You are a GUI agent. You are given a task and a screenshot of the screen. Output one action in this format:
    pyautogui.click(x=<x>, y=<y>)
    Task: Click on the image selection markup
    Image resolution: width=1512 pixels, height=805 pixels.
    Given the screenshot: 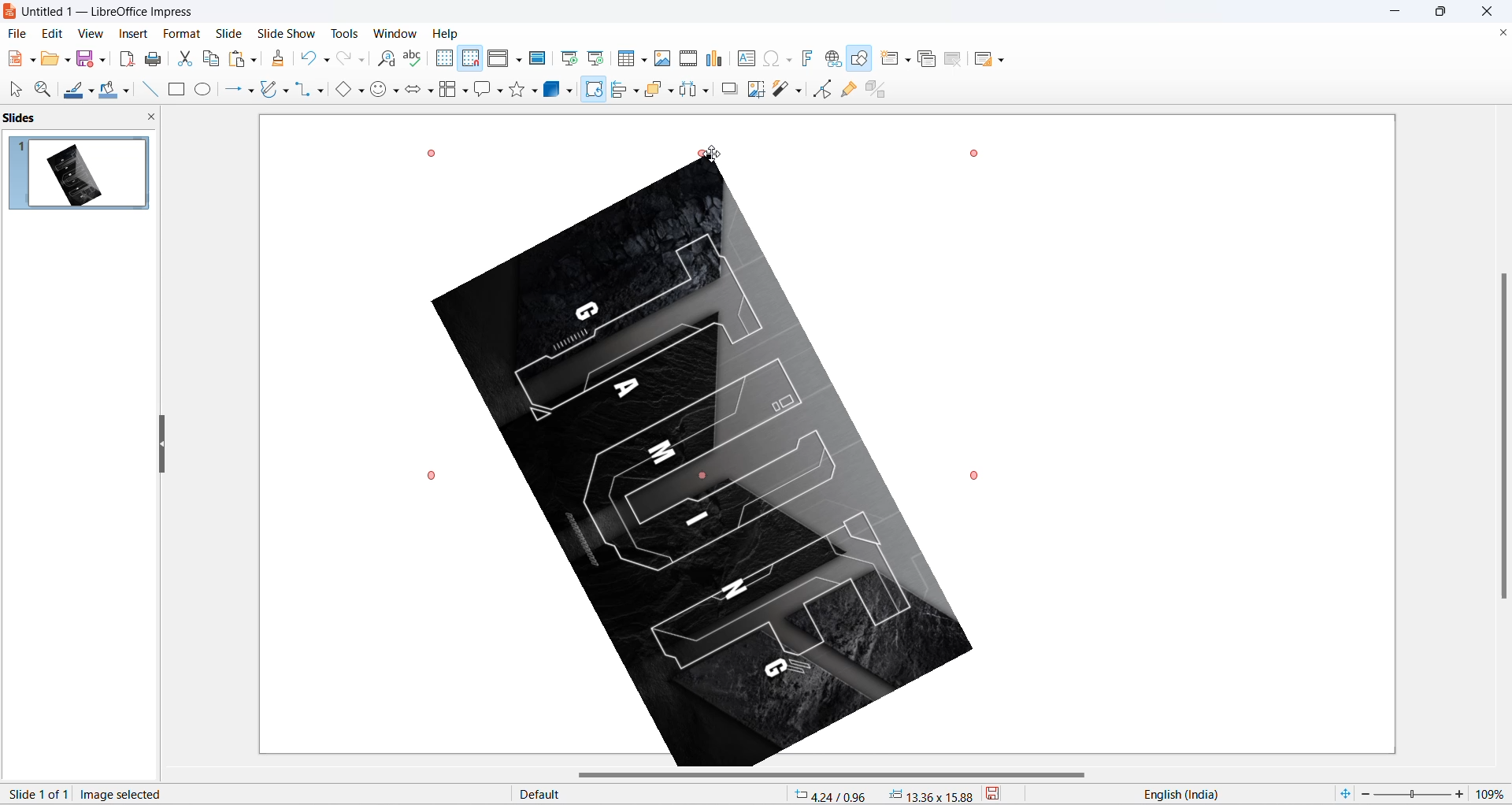 What is the action you would take?
    pyautogui.click(x=974, y=473)
    